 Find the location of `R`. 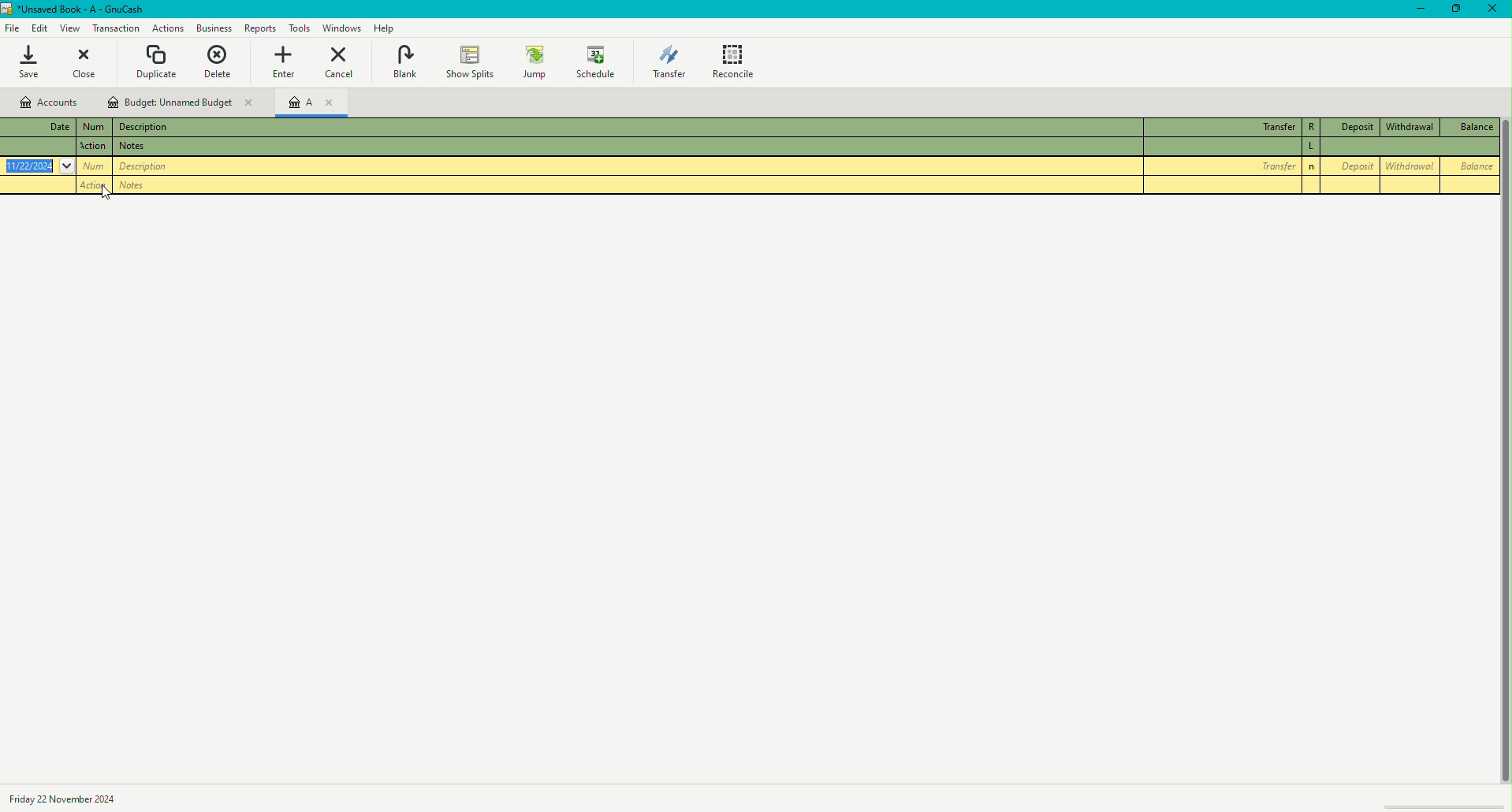

R is located at coordinates (1309, 127).